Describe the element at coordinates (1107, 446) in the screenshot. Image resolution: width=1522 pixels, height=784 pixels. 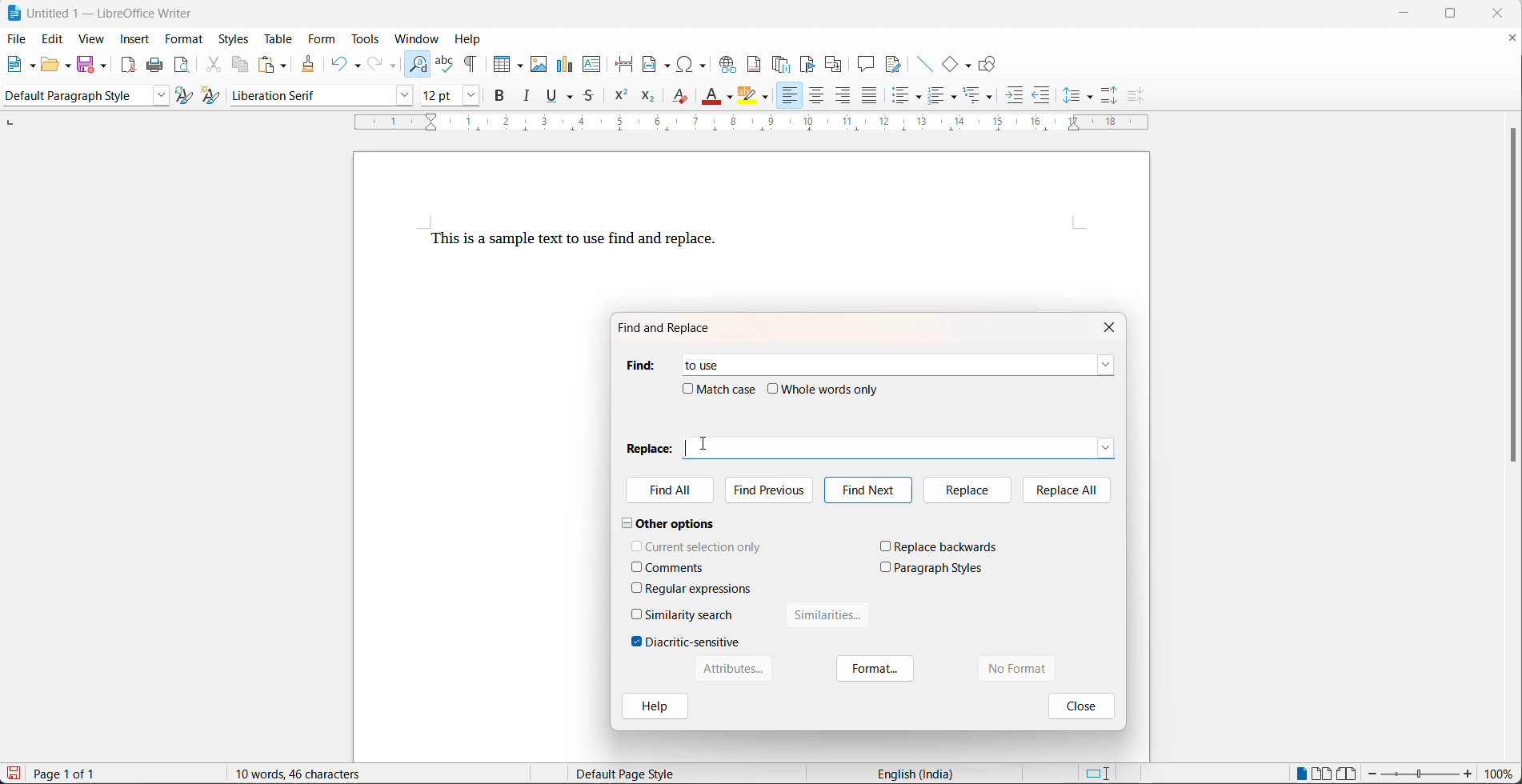
I see `replace dropdown button` at that location.